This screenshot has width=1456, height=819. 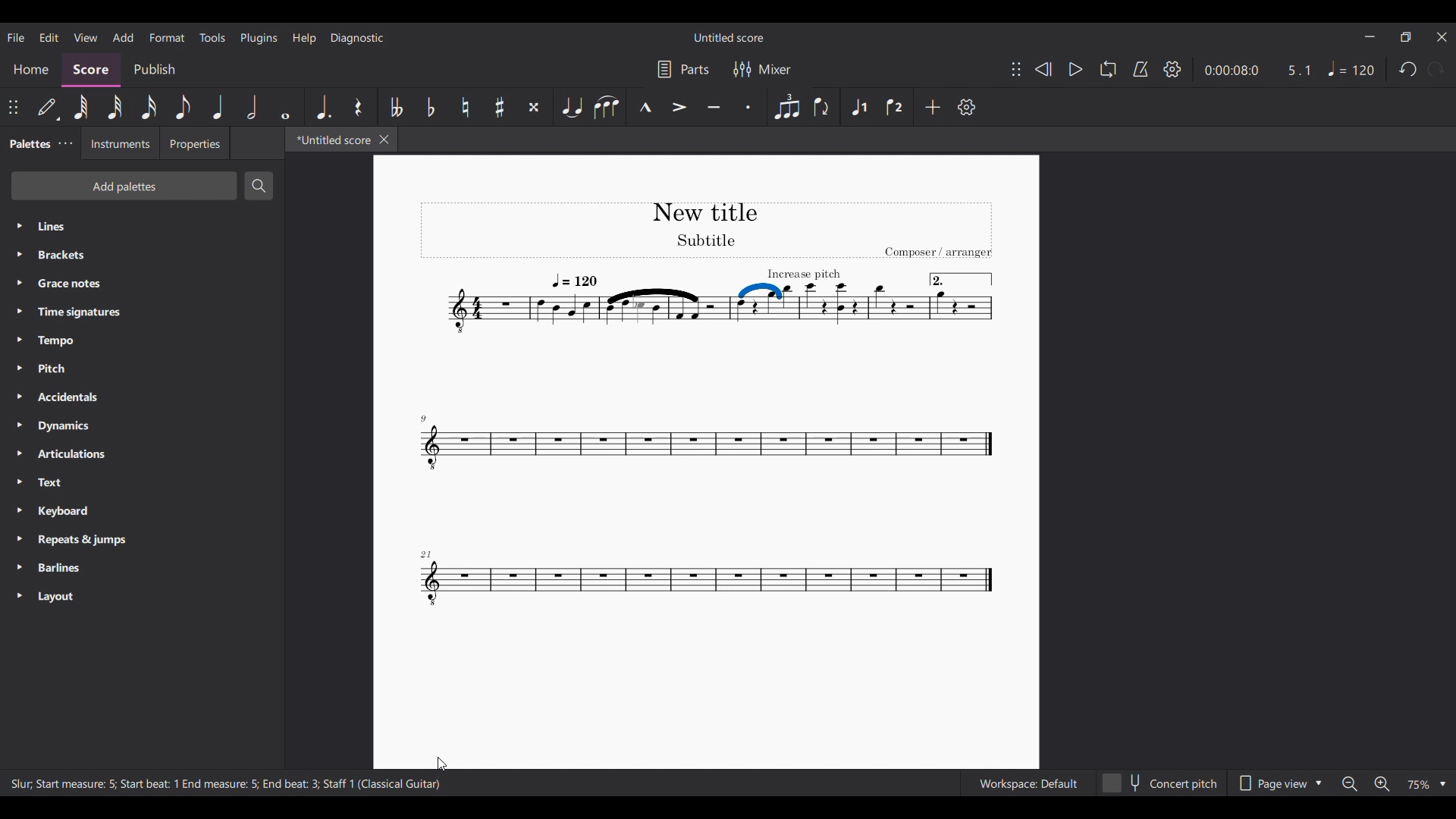 What do you see at coordinates (183, 107) in the screenshot?
I see `8th note` at bounding box center [183, 107].